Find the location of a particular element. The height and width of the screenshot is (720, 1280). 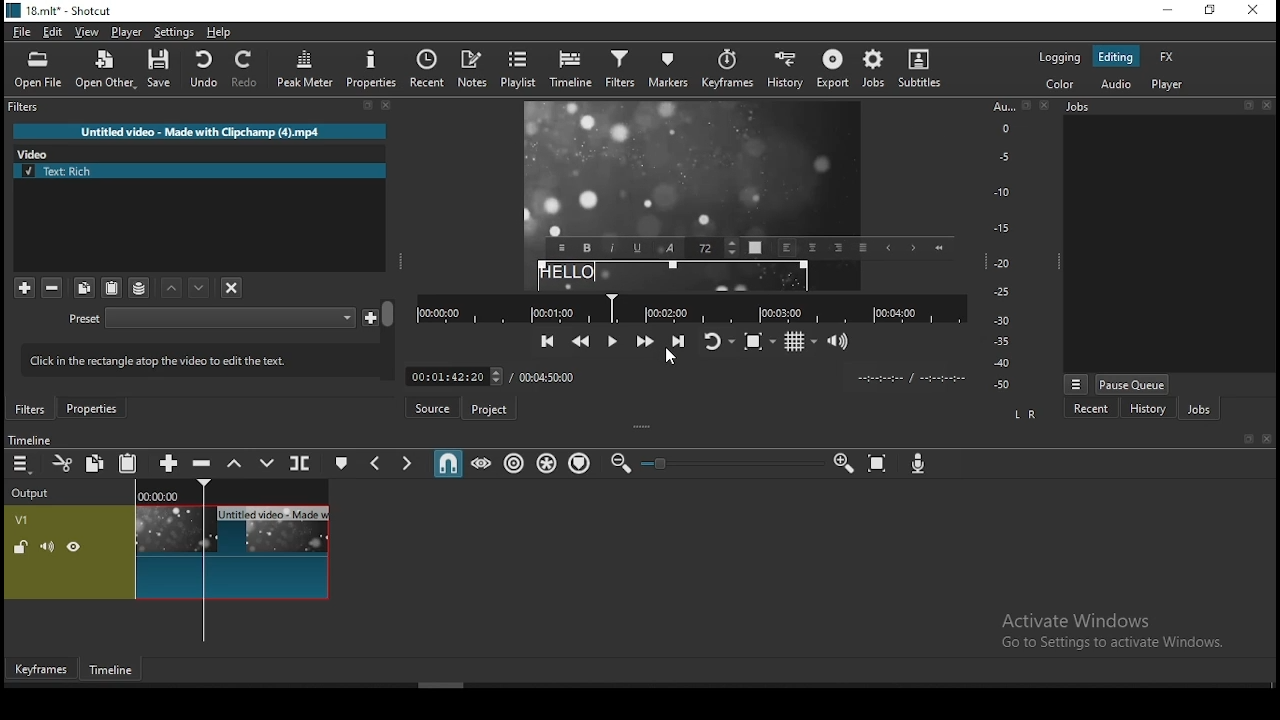

Clip Time is located at coordinates (910, 379).